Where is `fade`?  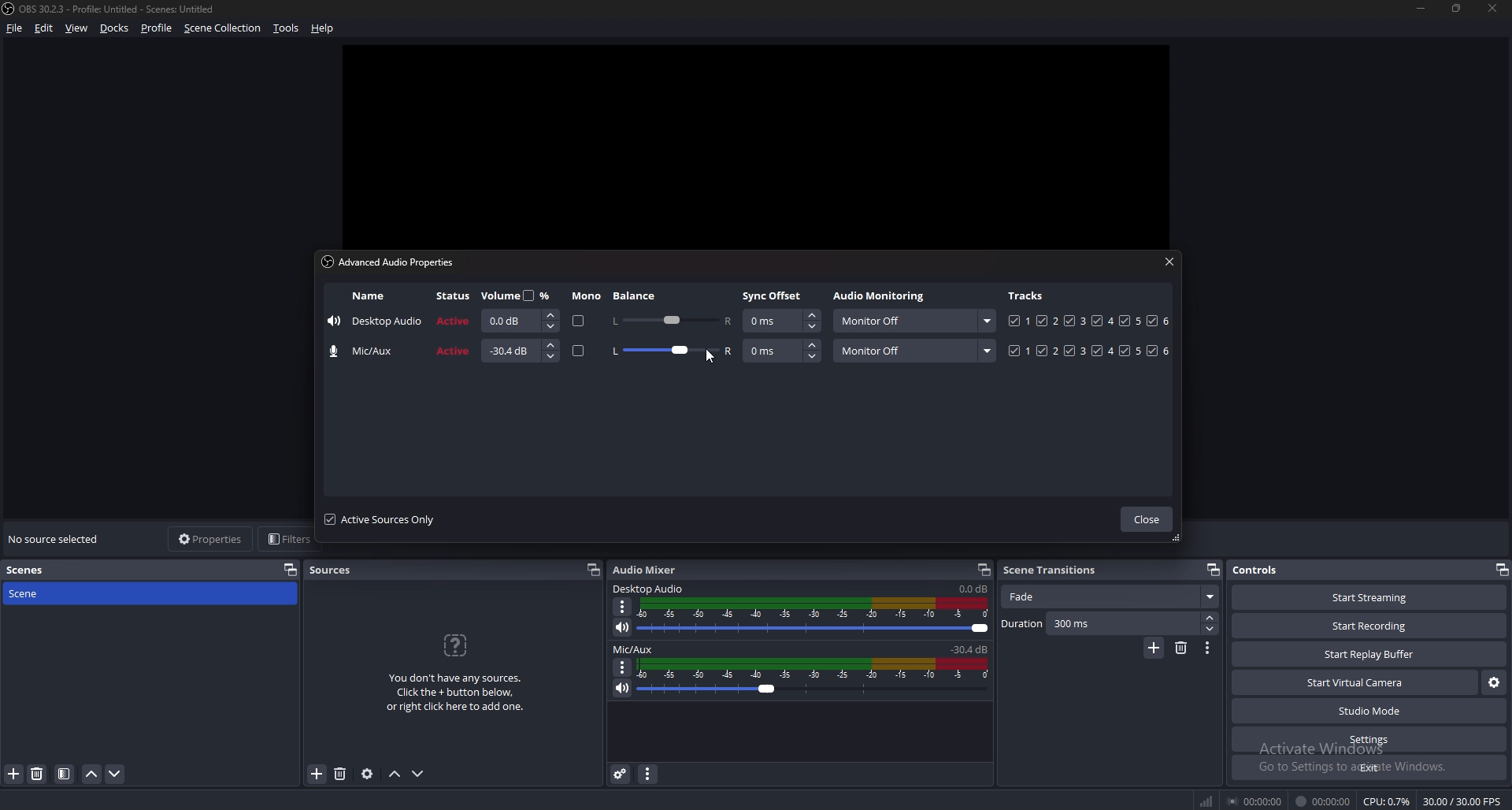
fade is located at coordinates (1112, 595).